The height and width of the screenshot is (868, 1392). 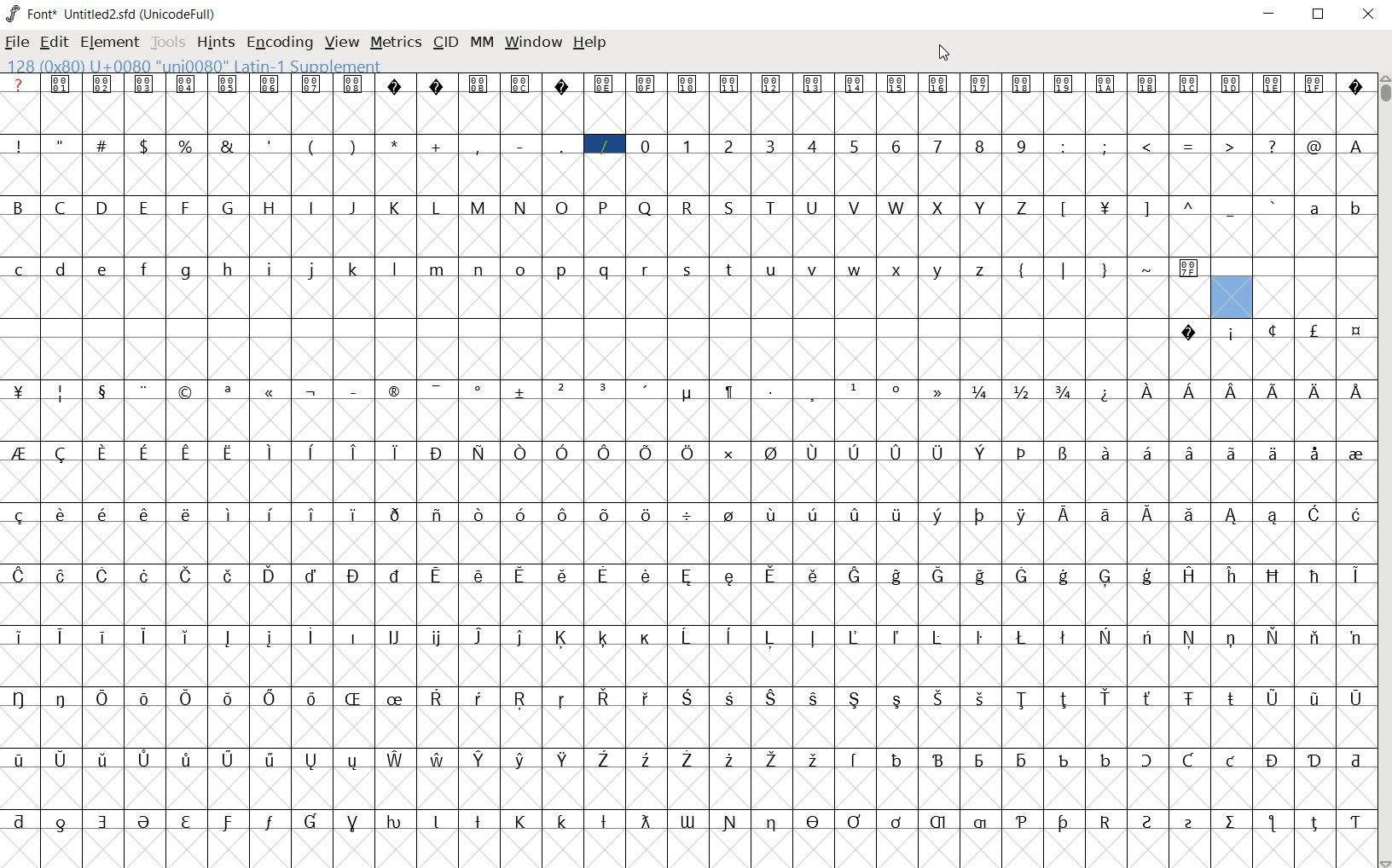 I want to click on glyph, so click(x=1105, y=146).